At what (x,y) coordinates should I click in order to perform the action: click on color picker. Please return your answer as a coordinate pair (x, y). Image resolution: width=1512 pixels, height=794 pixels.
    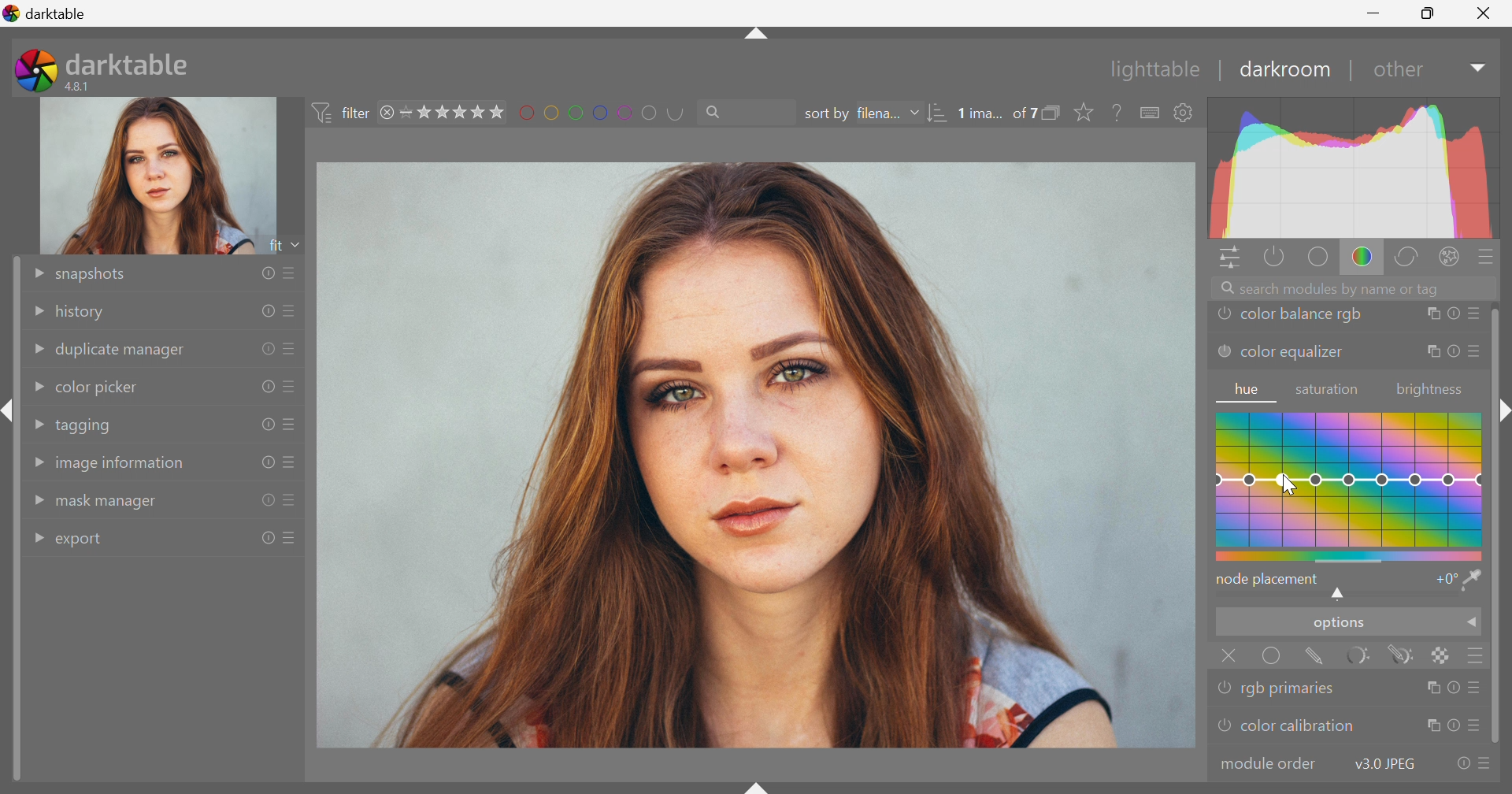
    Looking at the image, I should click on (98, 386).